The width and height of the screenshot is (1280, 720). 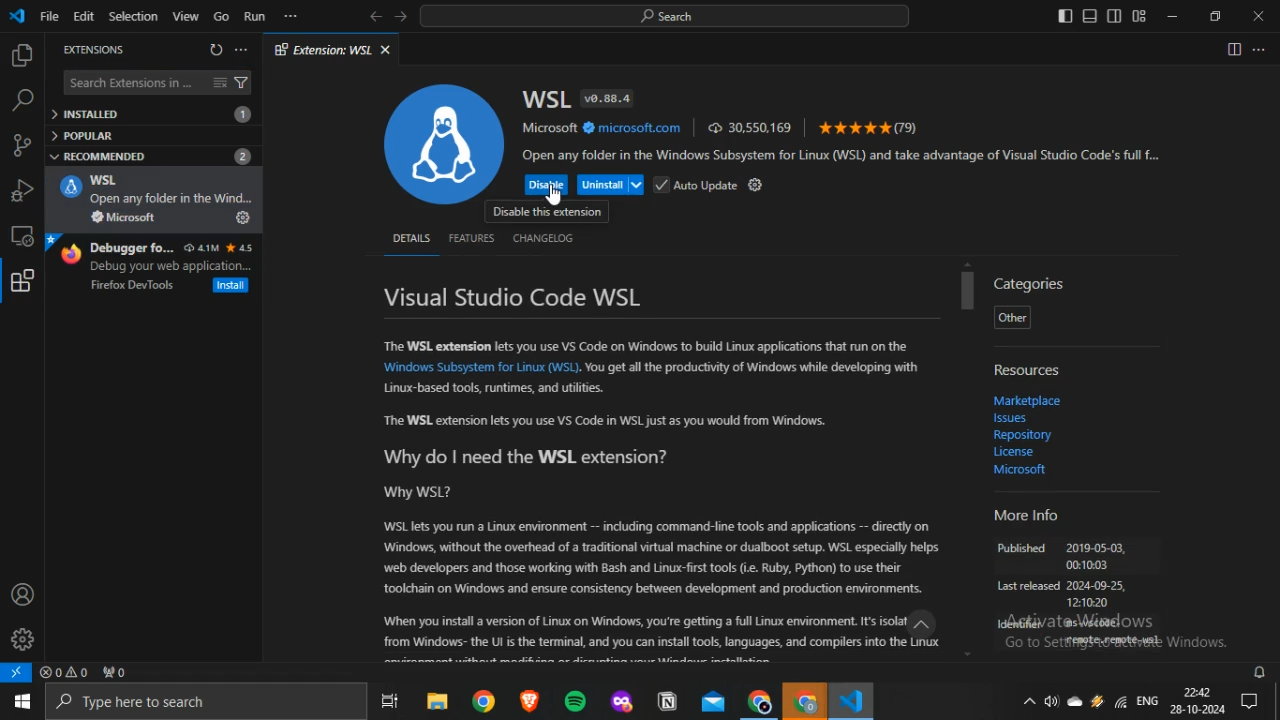 What do you see at coordinates (644, 348) in the screenshot?
I see `The WSL extension lets you use VS Code on Windows to build Linux applications that run on the` at bounding box center [644, 348].